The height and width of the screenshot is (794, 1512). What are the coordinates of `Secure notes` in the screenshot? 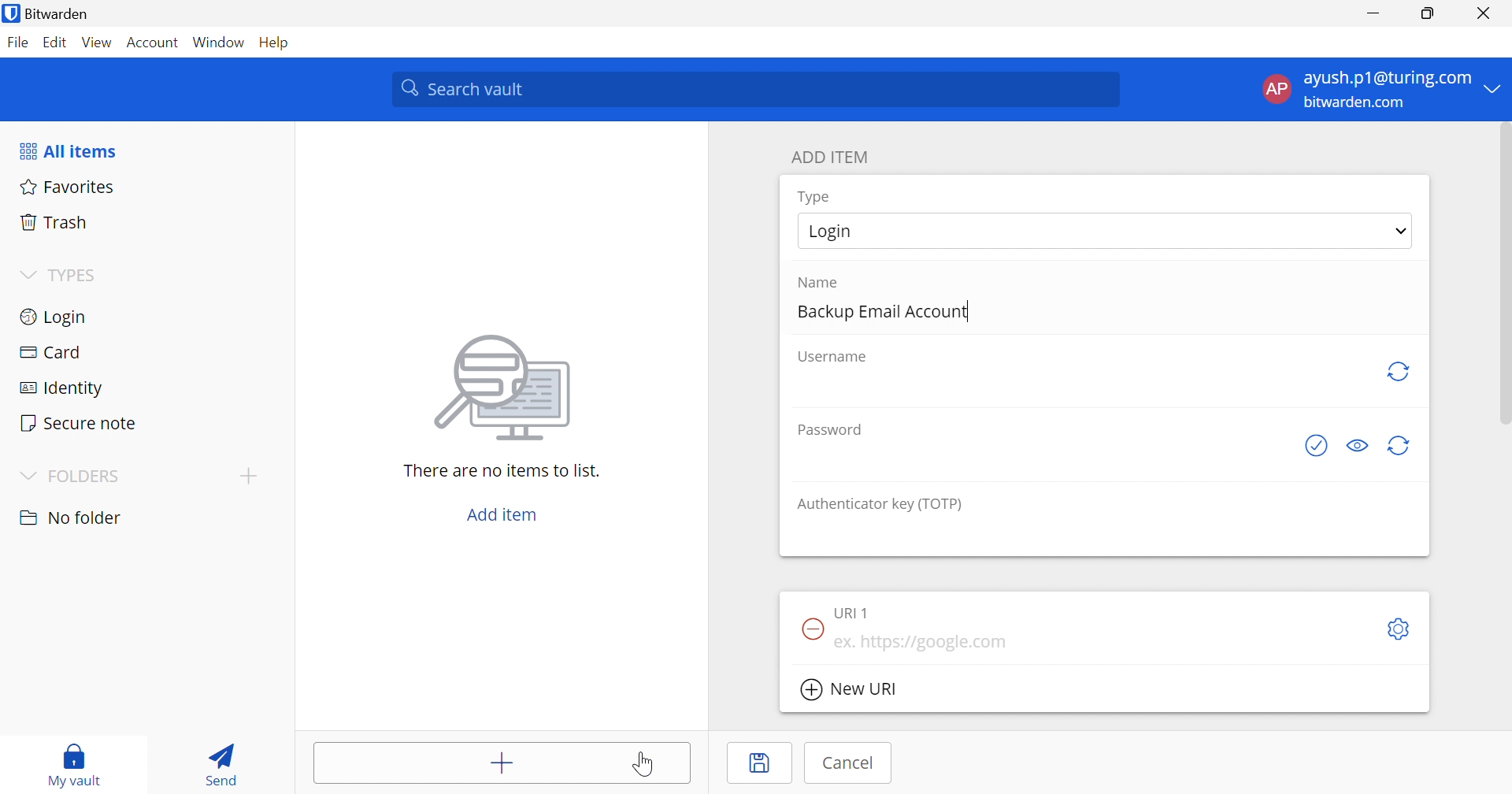 It's located at (80, 423).